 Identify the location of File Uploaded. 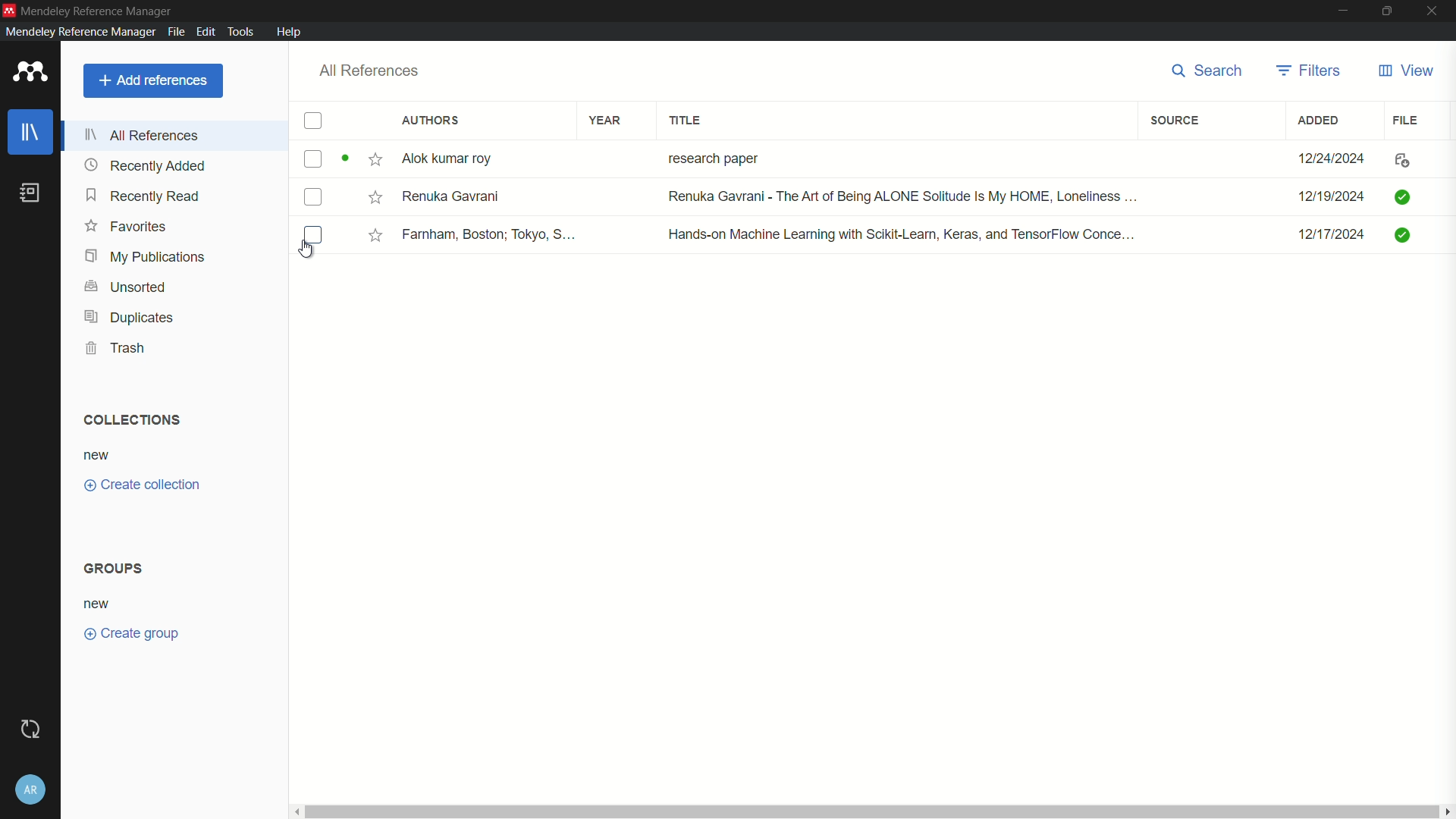
(1418, 240).